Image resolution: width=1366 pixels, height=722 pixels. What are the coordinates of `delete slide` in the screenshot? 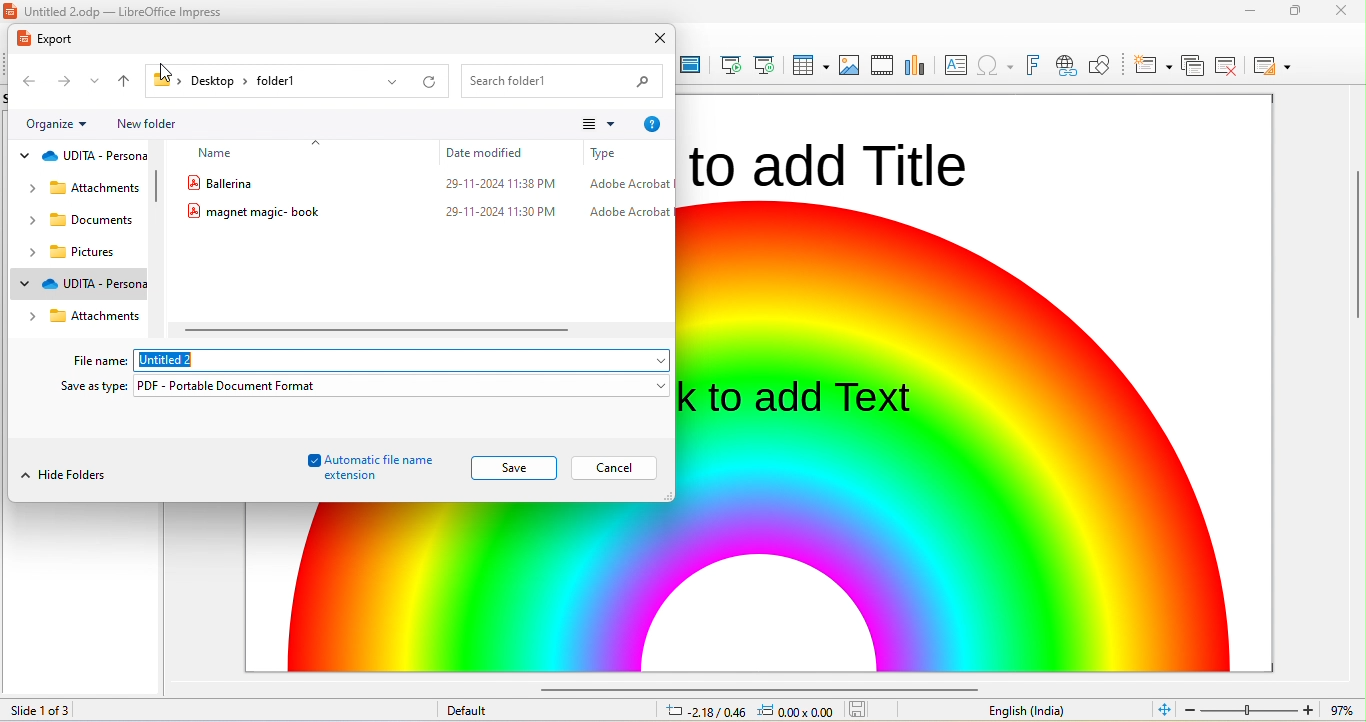 It's located at (1227, 65).